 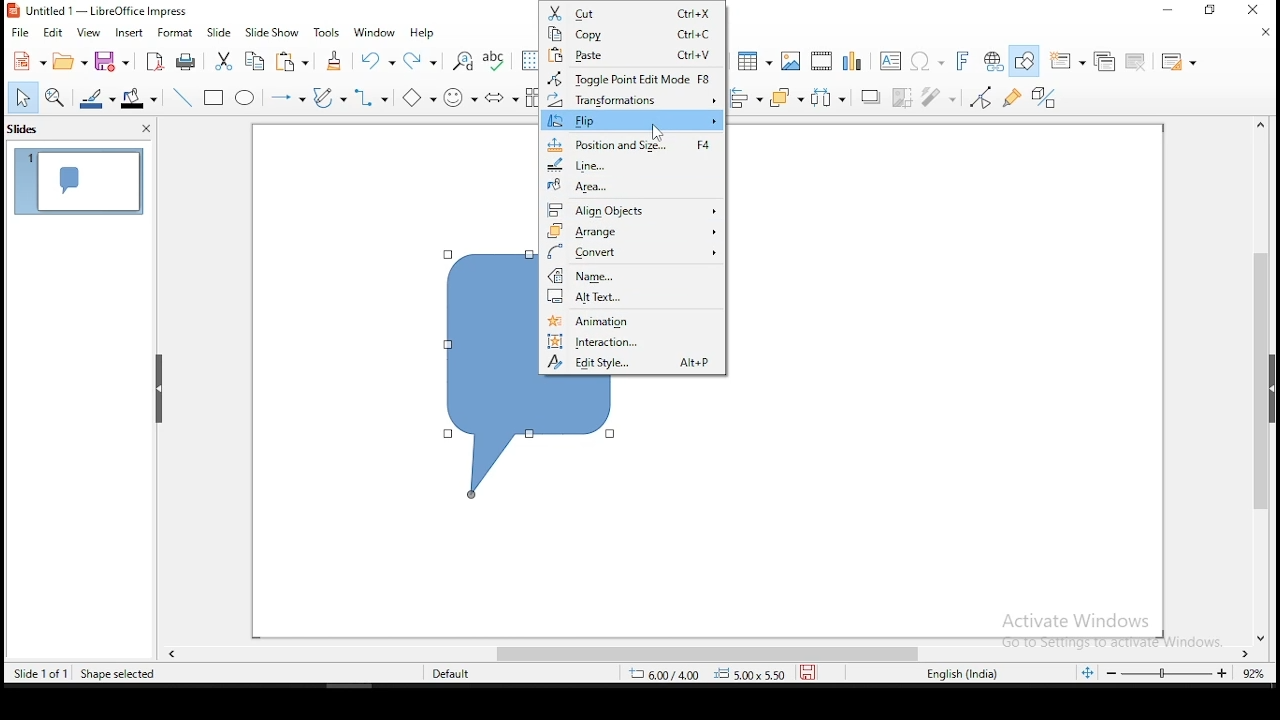 I want to click on copy, so click(x=635, y=32).